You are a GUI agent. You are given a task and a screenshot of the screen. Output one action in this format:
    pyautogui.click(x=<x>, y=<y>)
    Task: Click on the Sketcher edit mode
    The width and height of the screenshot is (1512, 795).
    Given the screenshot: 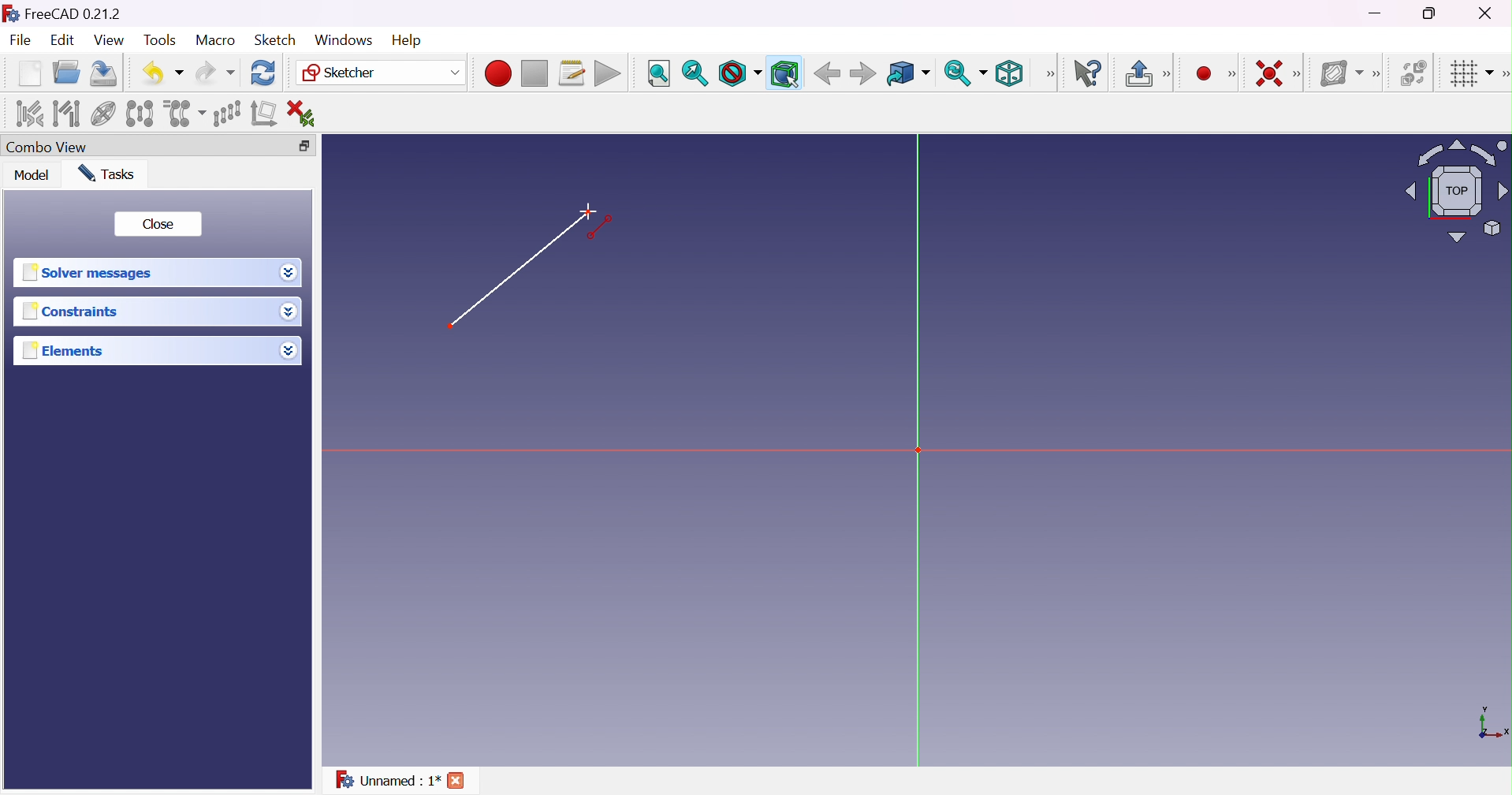 What is the action you would take?
    pyautogui.click(x=1168, y=75)
    